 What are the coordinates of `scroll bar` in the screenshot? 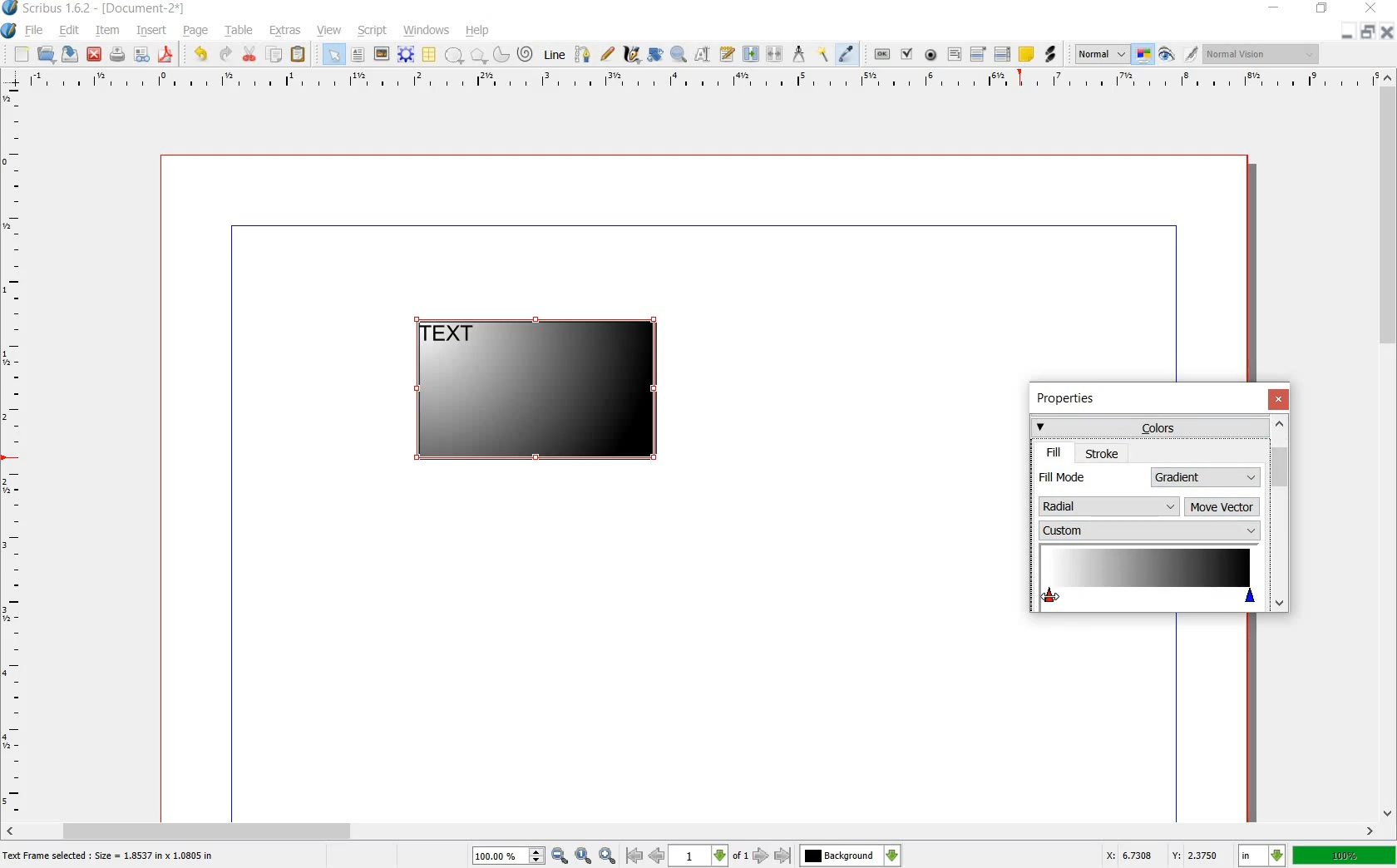 It's located at (1389, 446).